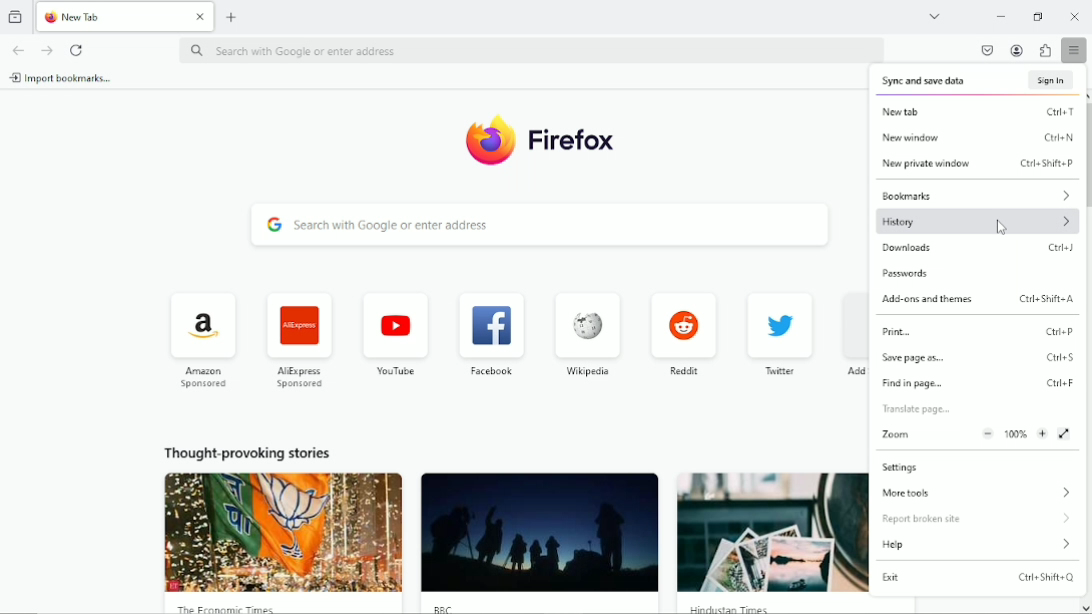 This screenshot has width=1092, height=614. Describe the element at coordinates (1002, 15) in the screenshot. I see `Minimize` at that location.